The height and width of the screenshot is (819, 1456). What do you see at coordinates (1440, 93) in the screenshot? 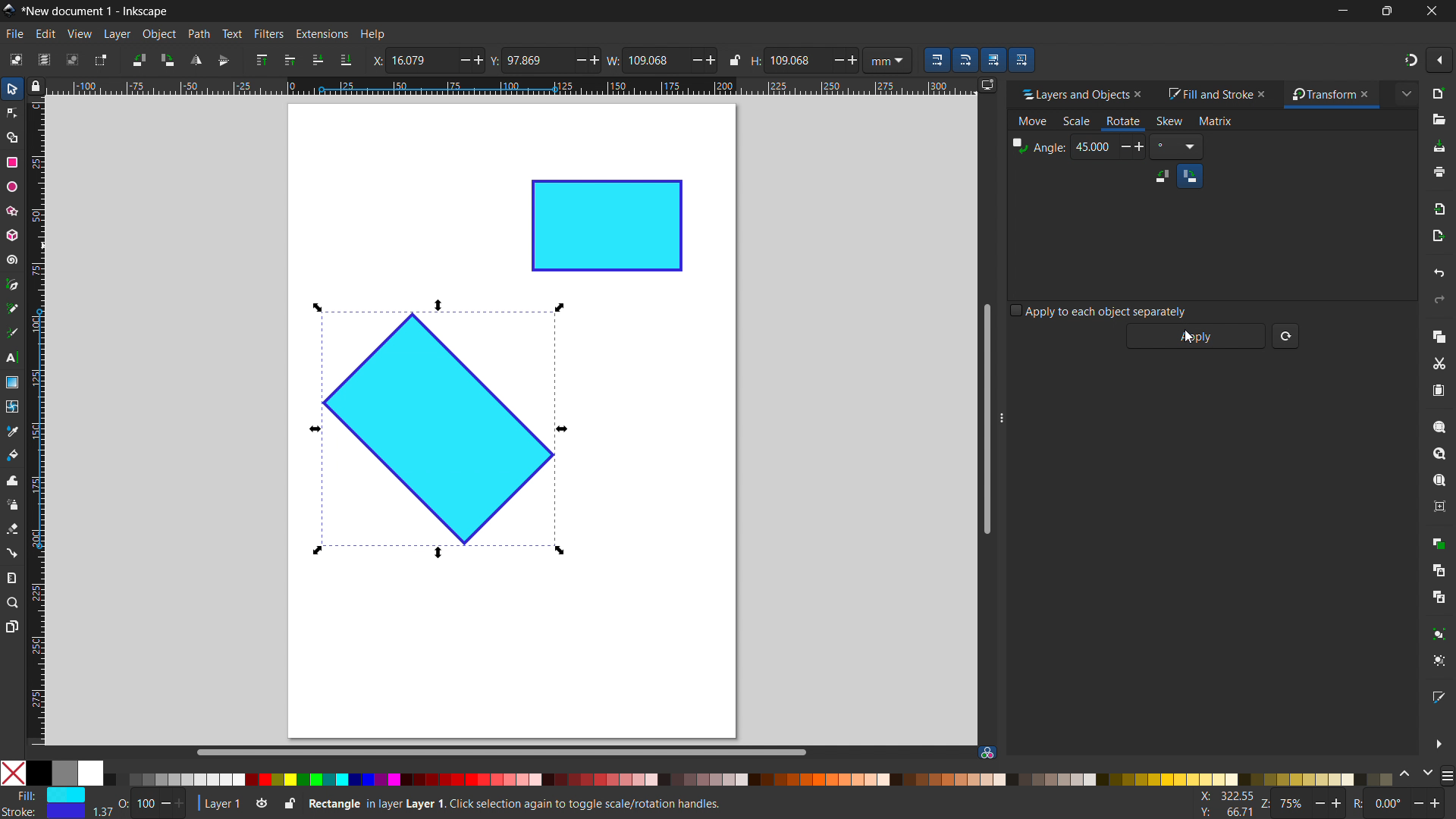
I see `new` at bounding box center [1440, 93].